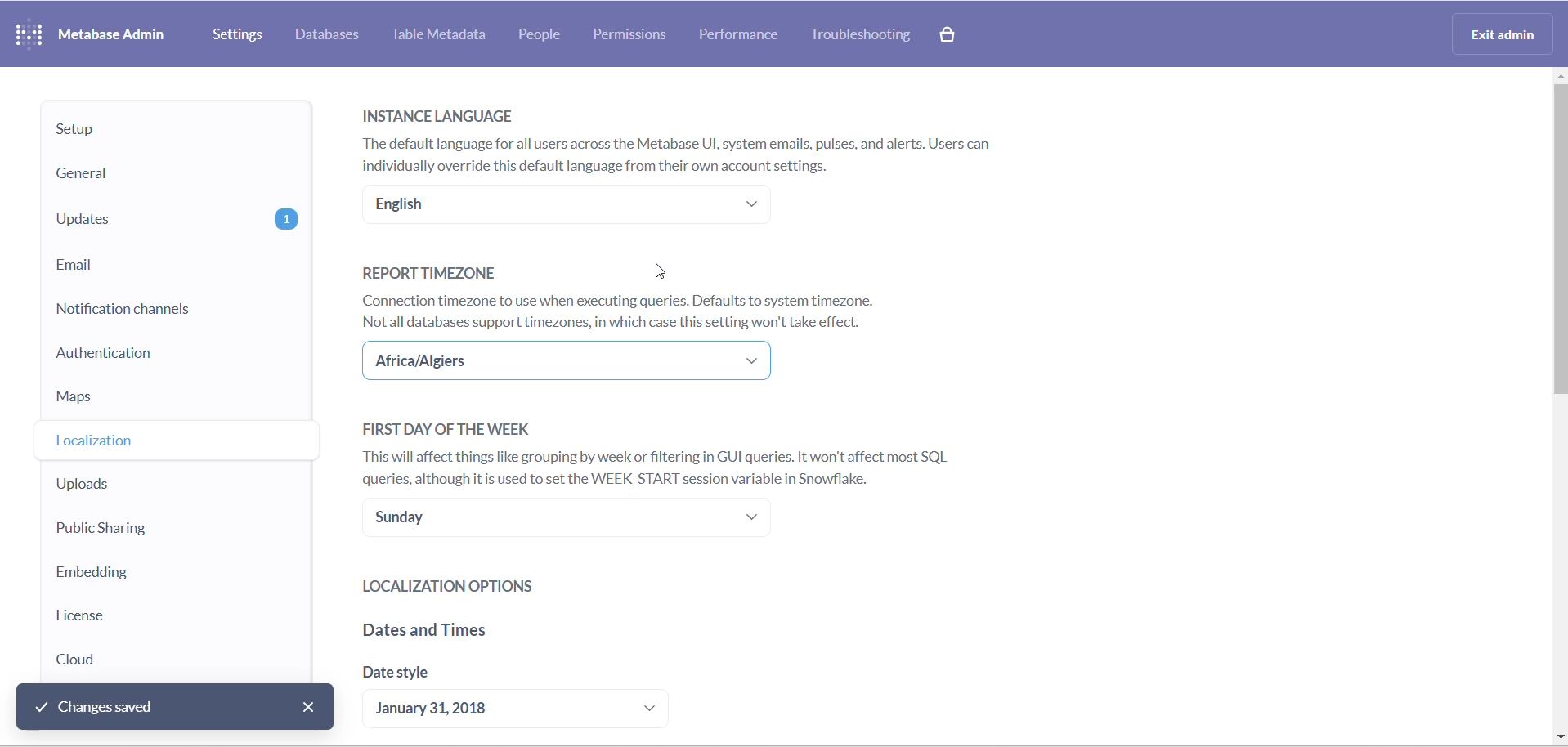 This screenshot has width=1568, height=747. What do you see at coordinates (181, 359) in the screenshot?
I see `AUTHENTICATION` at bounding box center [181, 359].